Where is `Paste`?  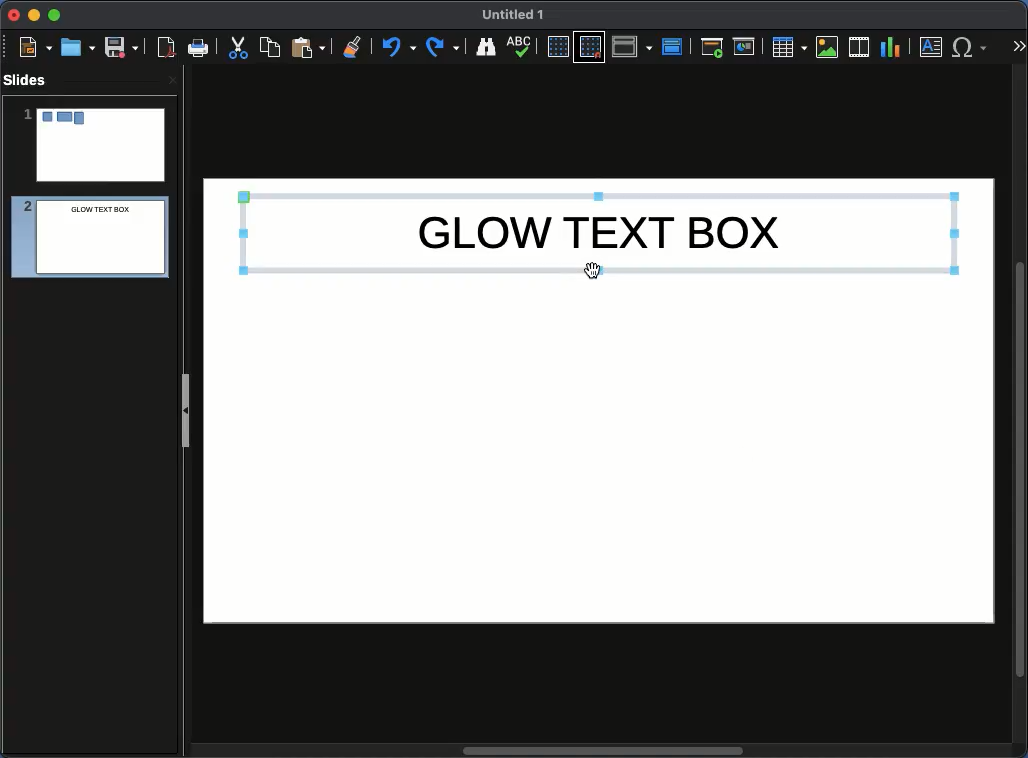
Paste is located at coordinates (308, 46).